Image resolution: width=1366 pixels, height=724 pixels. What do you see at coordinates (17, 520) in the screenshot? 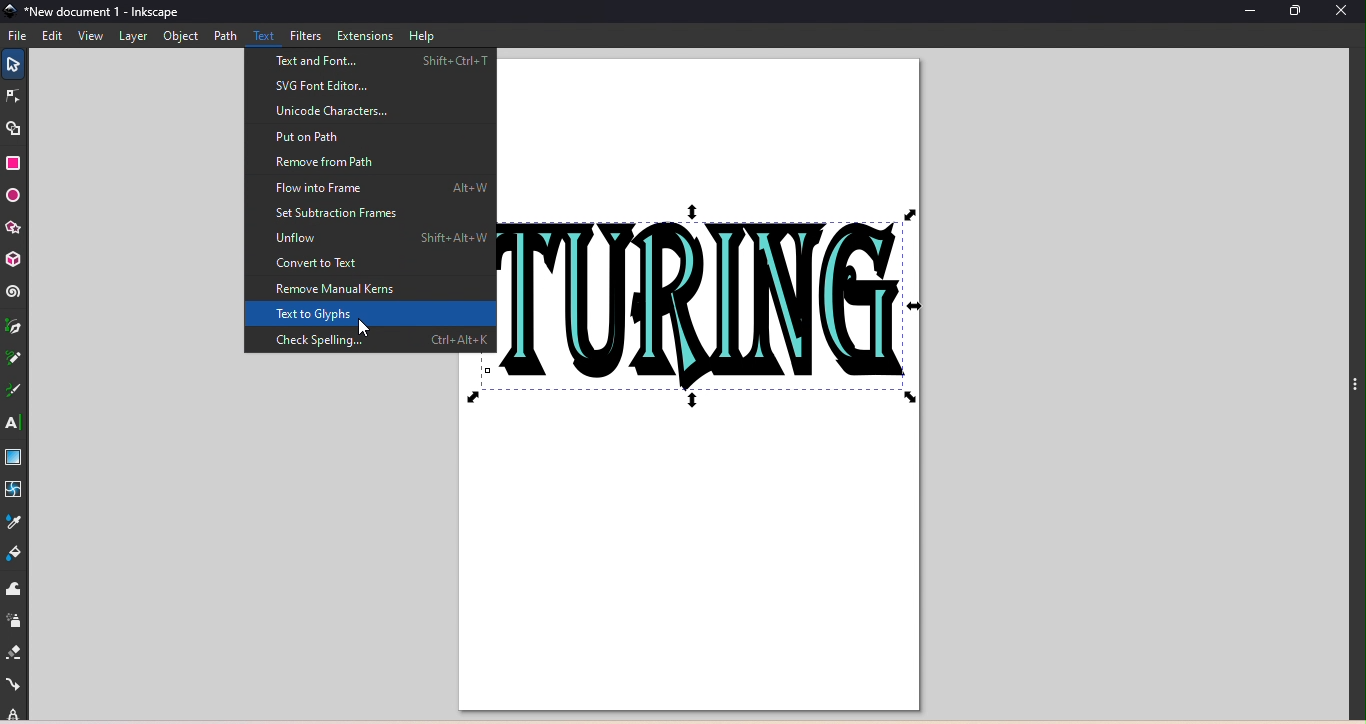
I see `Dropper tool` at bounding box center [17, 520].